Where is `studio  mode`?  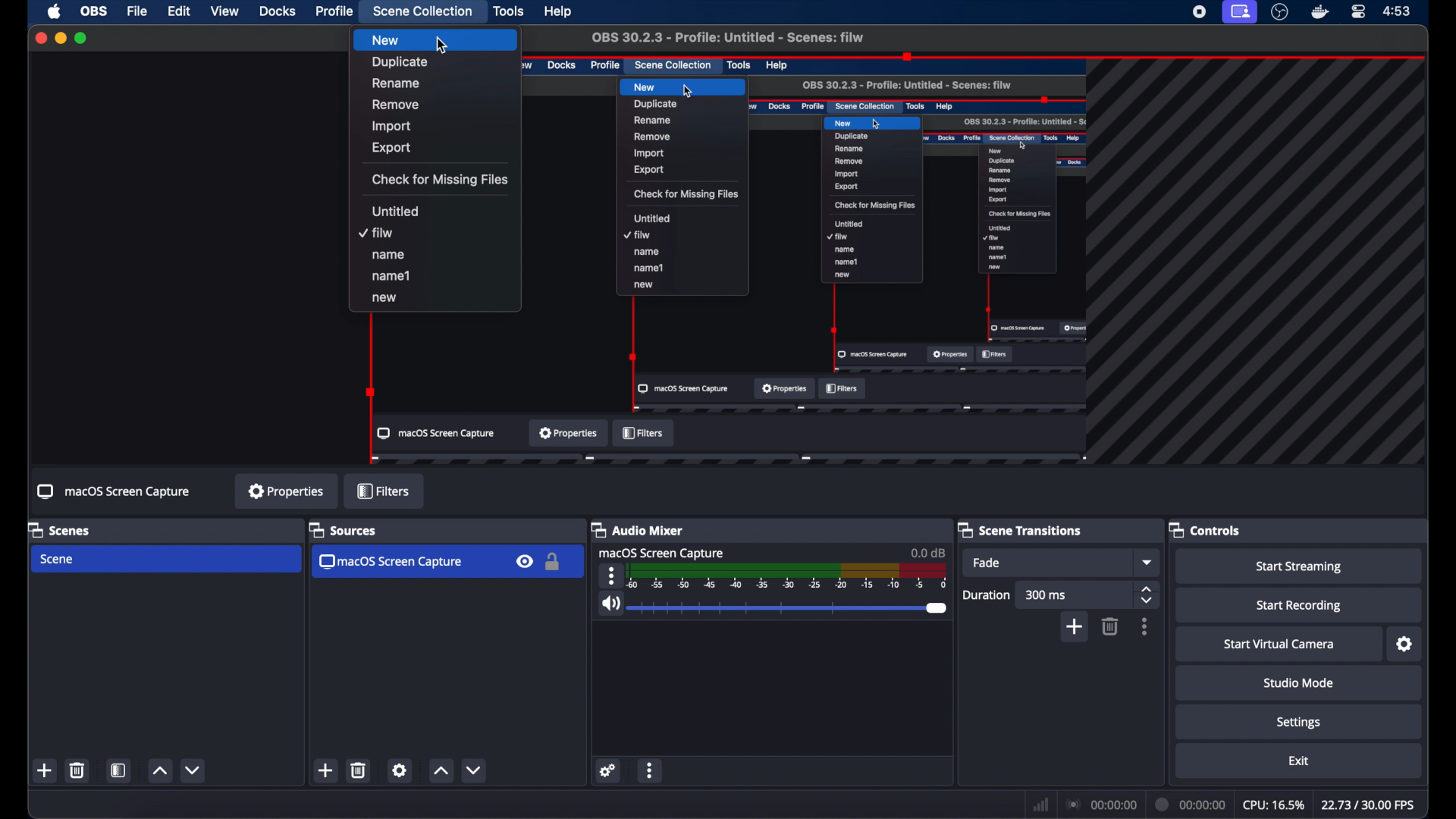
studio  mode is located at coordinates (1297, 682).